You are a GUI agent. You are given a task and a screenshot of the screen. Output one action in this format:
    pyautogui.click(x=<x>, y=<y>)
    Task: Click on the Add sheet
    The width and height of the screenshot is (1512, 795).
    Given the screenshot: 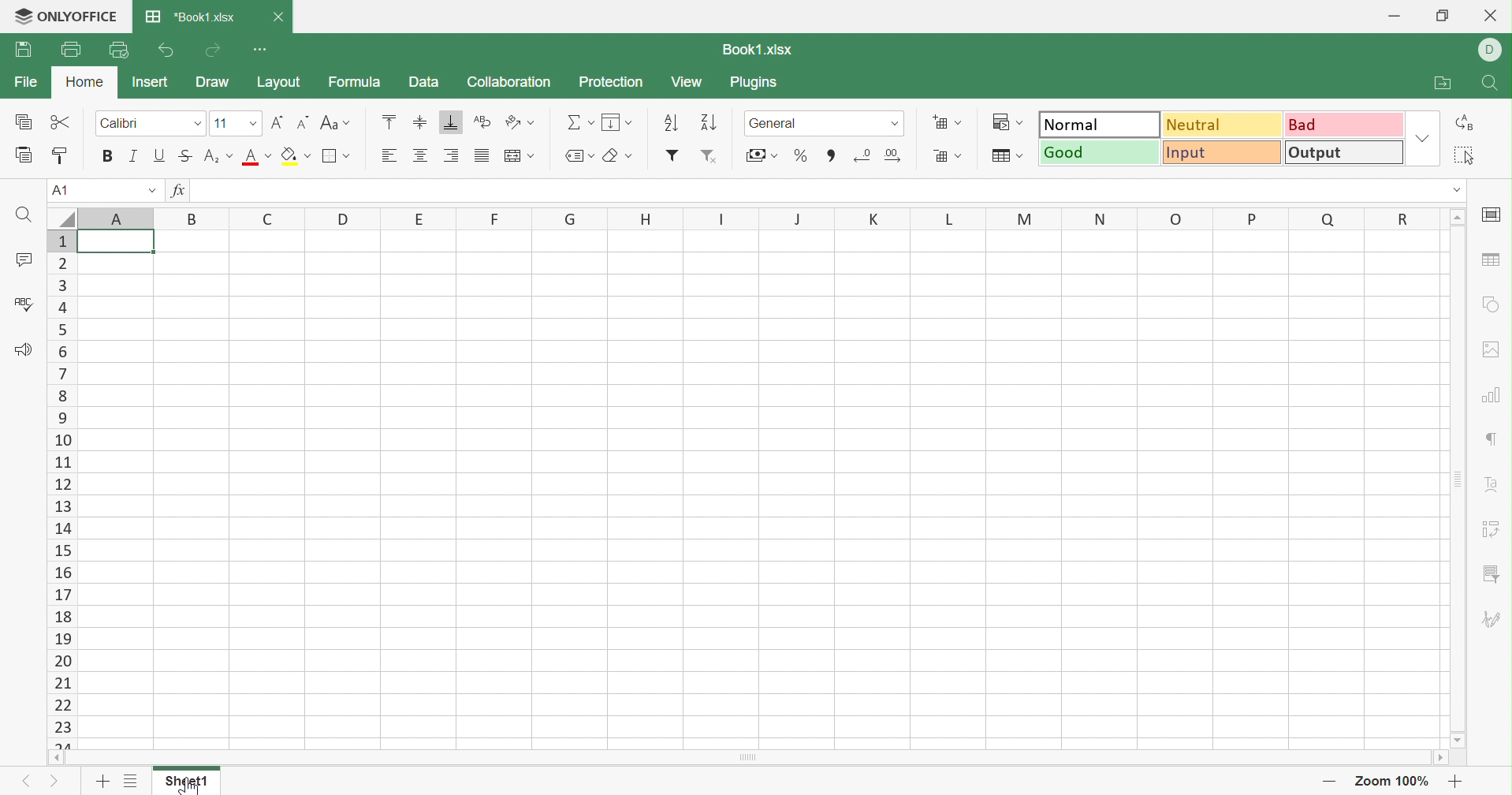 What is the action you would take?
    pyautogui.click(x=102, y=781)
    